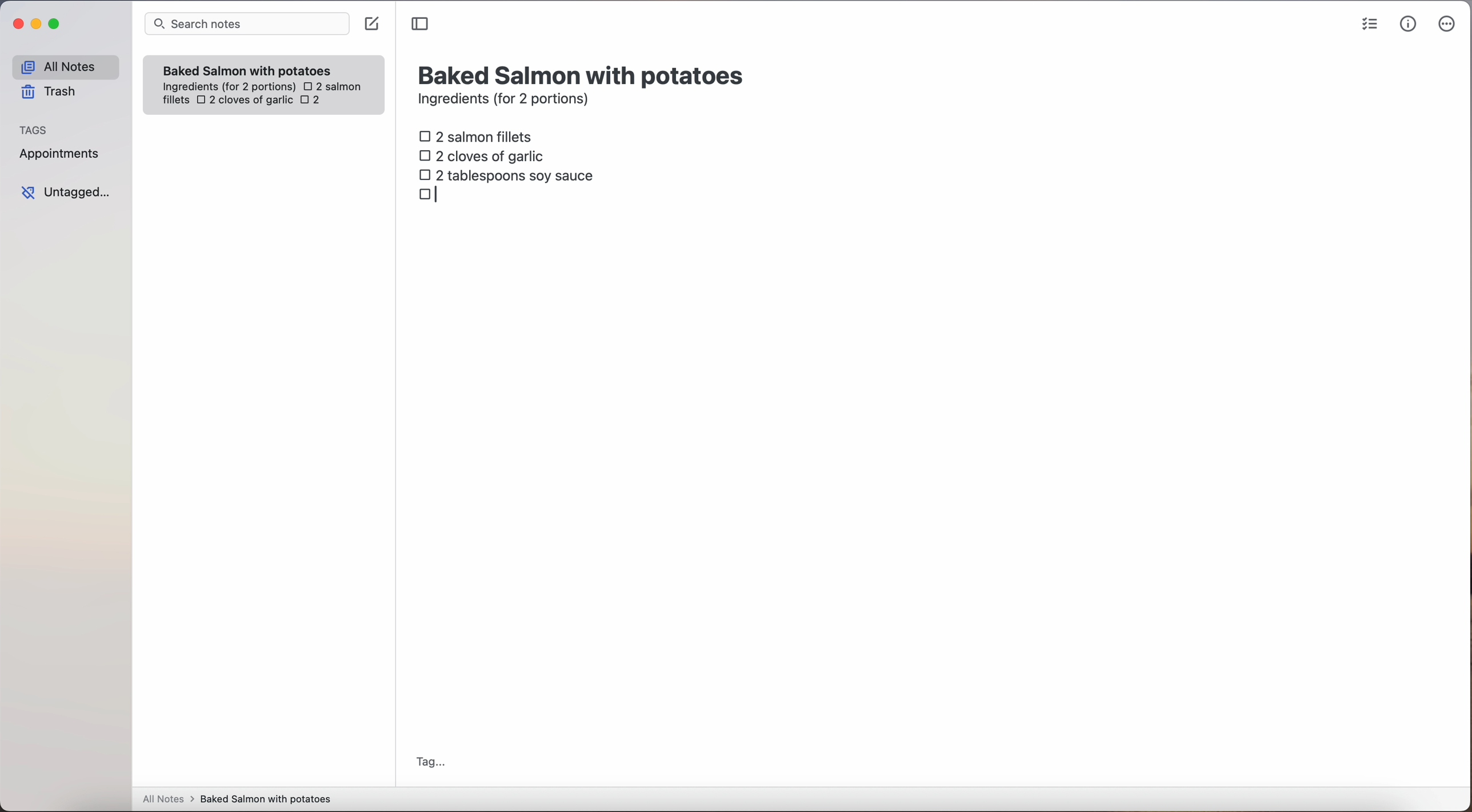 The height and width of the screenshot is (812, 1472). Describe the element at coordinates (1409, 23) in the screenshot. I see `metrics` at that location.